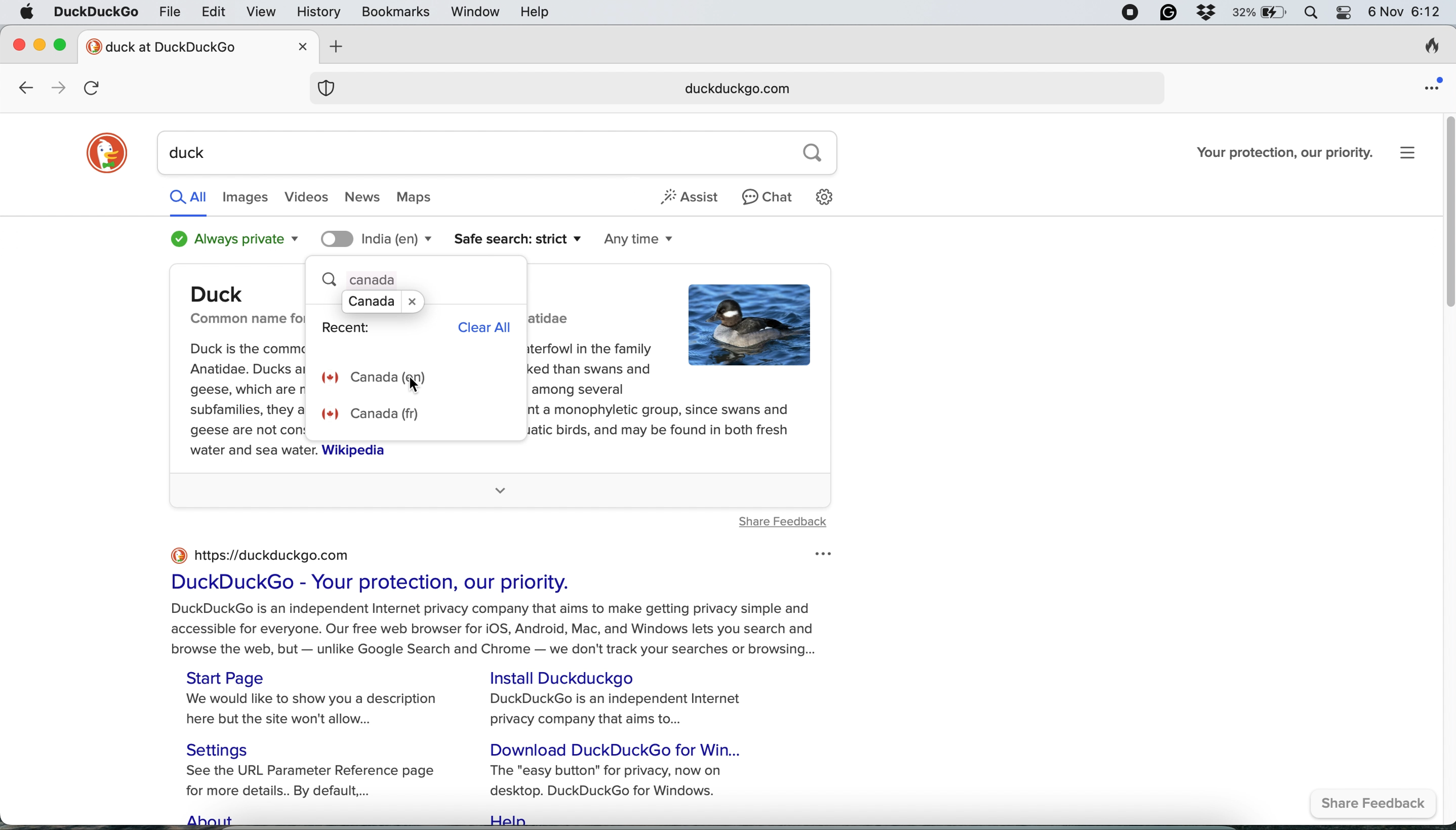  What do you see at coordinates (537, 12) in the screenshot?
I see `help` at bounding box center [537, 12].